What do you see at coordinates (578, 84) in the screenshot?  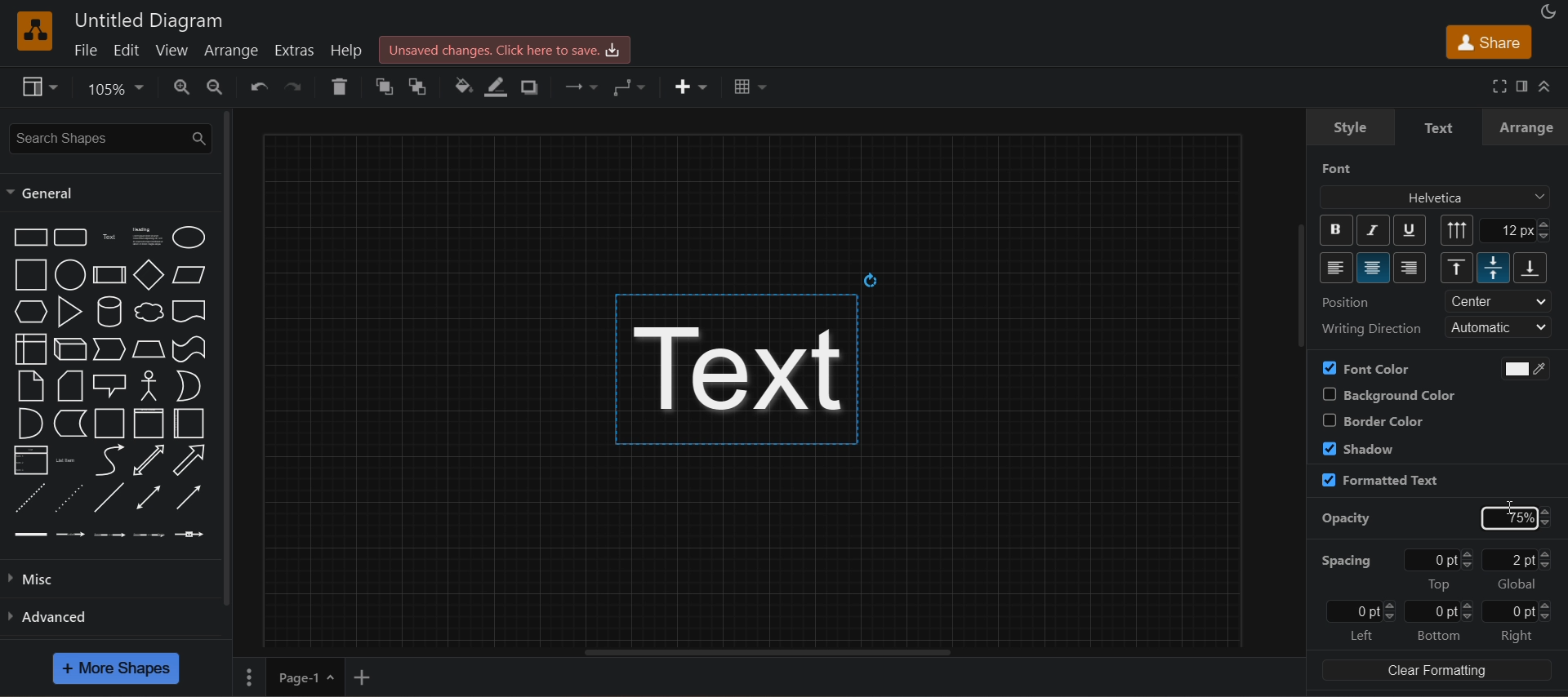 I see `connection` at bounding box center [578, 84].